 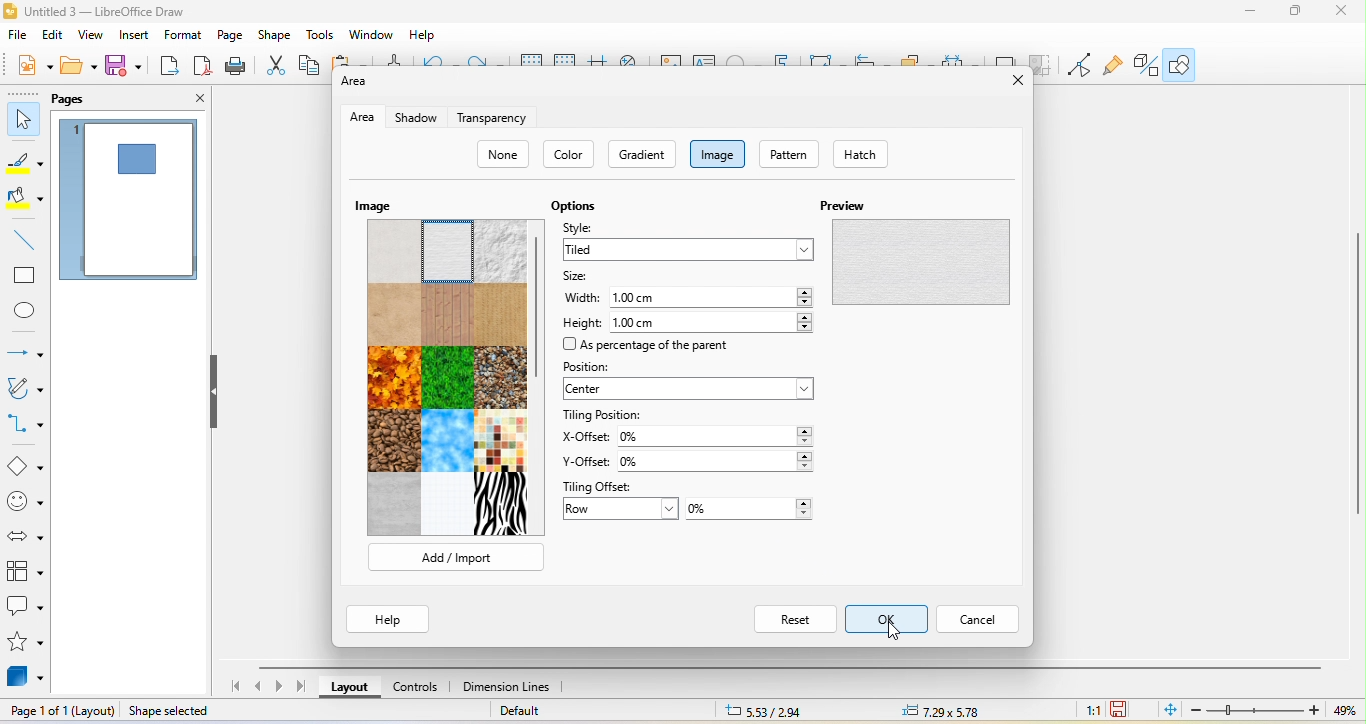 What do you see at coordinates (1245, 14) in the screenshot?
I see `minimze` at bounding box center [1245, 14].